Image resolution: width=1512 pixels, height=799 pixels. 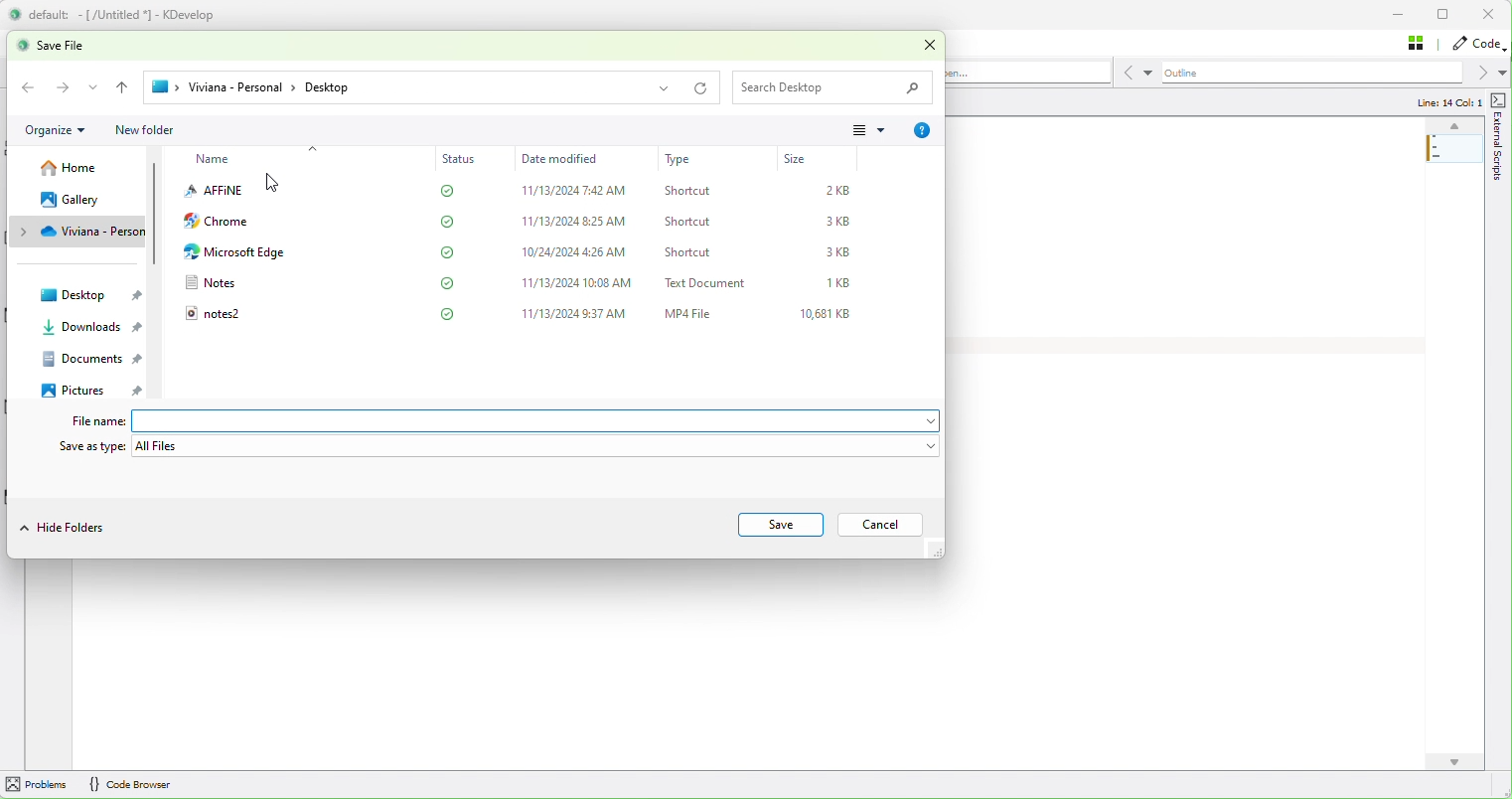 I want to click on notes2, so click(x=211, y=312).